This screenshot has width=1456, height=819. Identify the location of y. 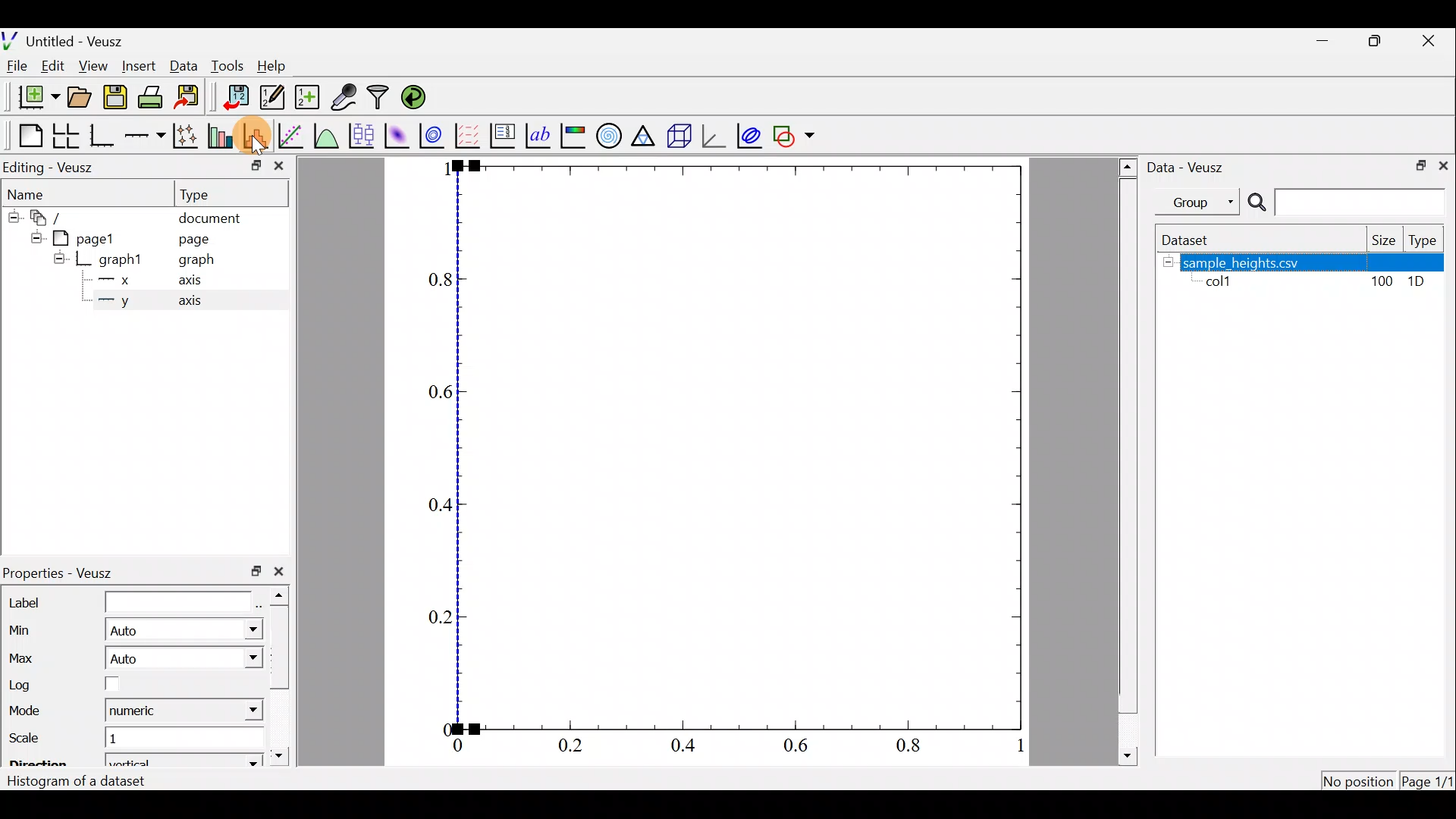
(124, 302).